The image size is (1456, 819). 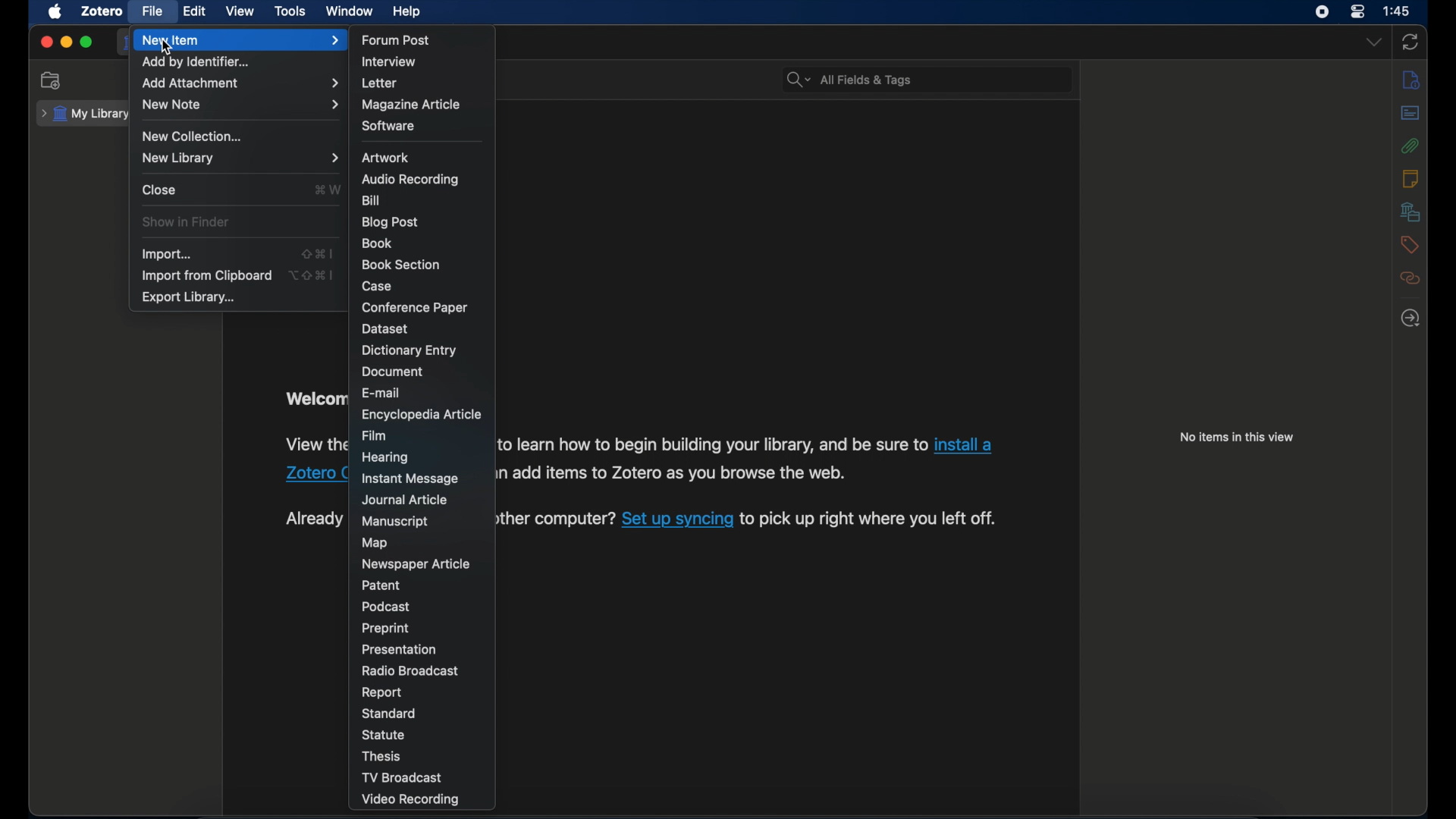 I want to click on audio recording, so click(x=409, y=179).